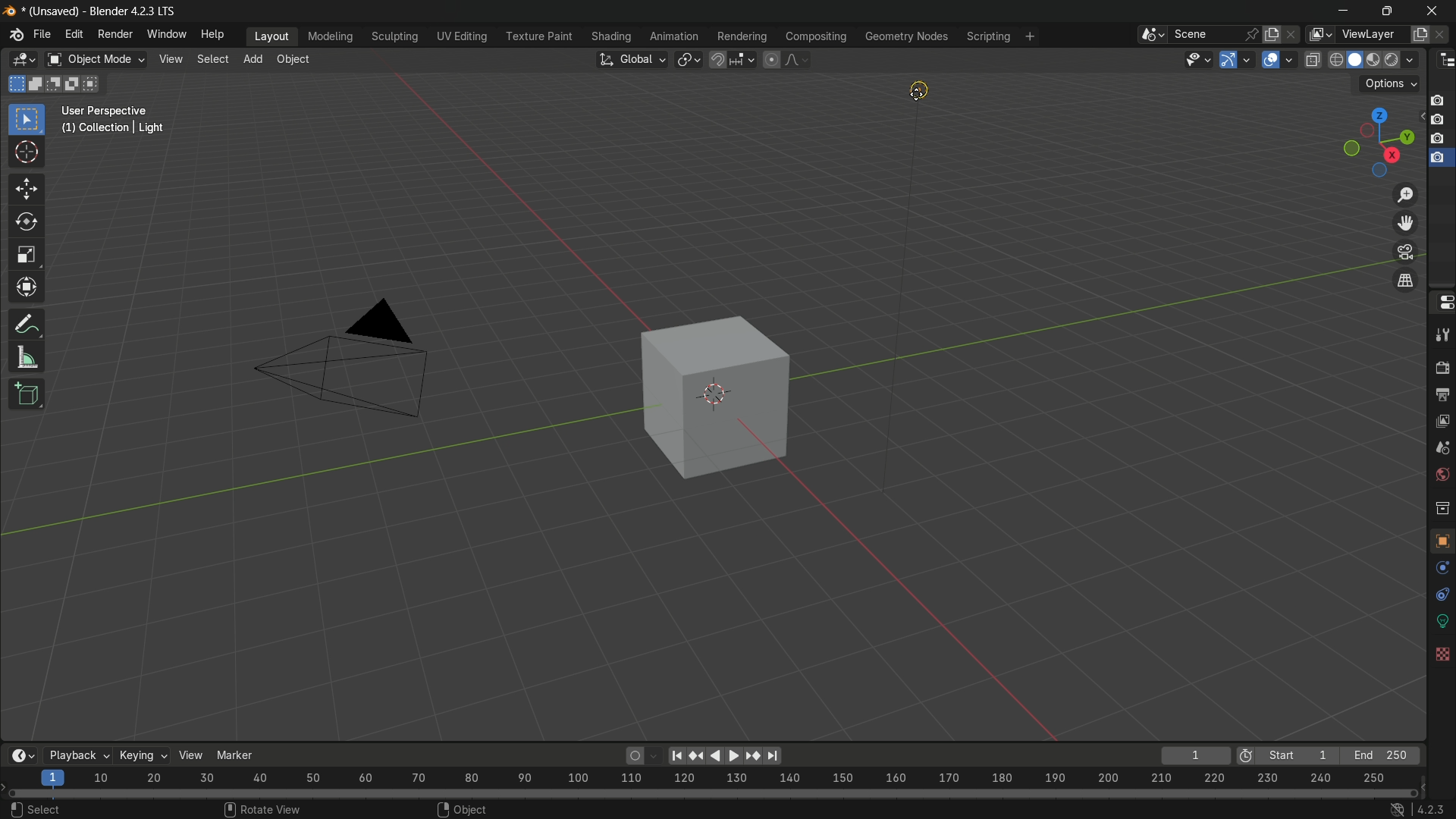 The height and width of the screenshot is (819, 1456). Describe the element at coordinates (337, 369) in the screenshot. I see `camera` at that location.